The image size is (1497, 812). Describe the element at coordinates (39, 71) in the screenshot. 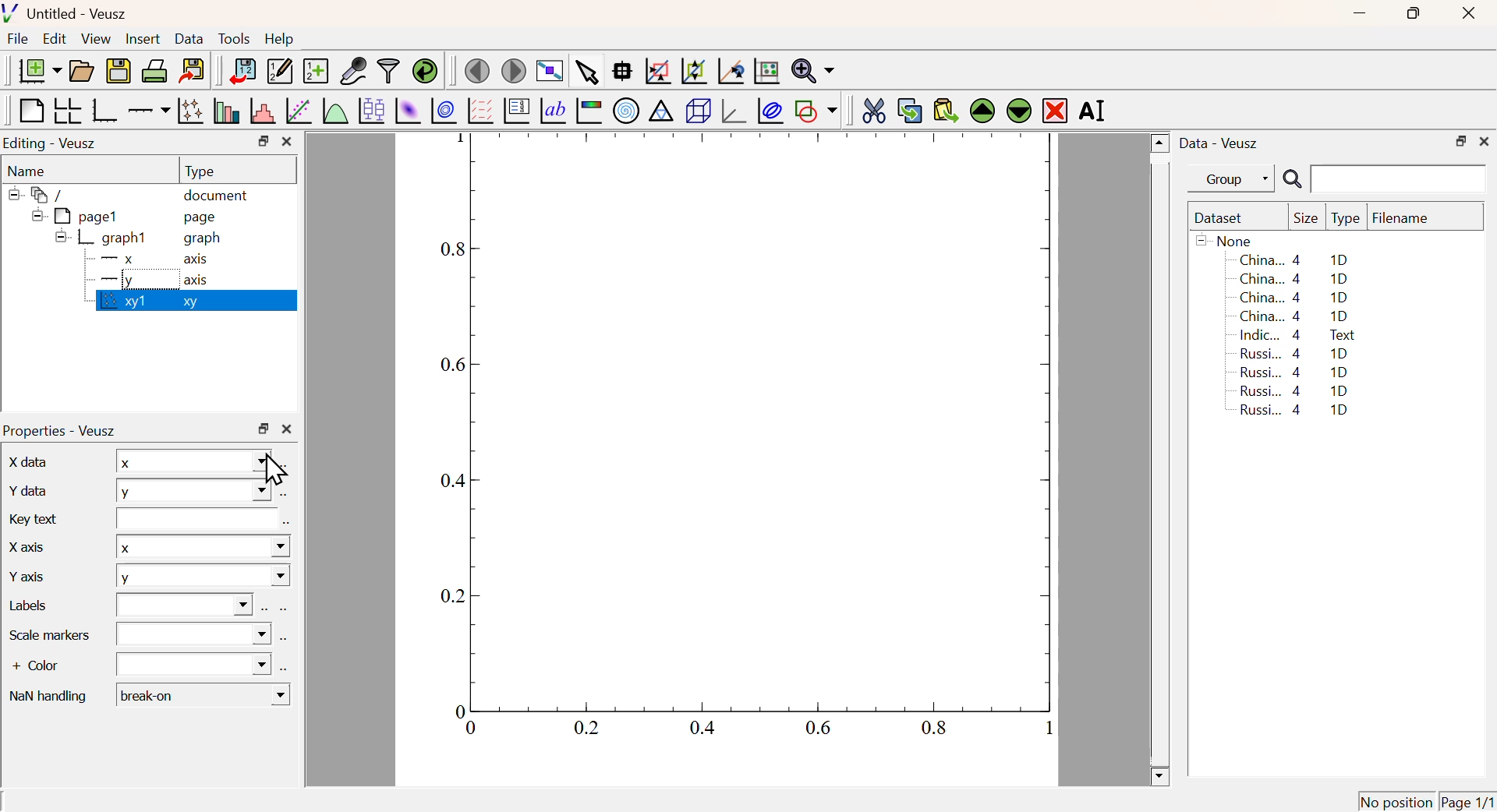

I see `New Document` at that location.